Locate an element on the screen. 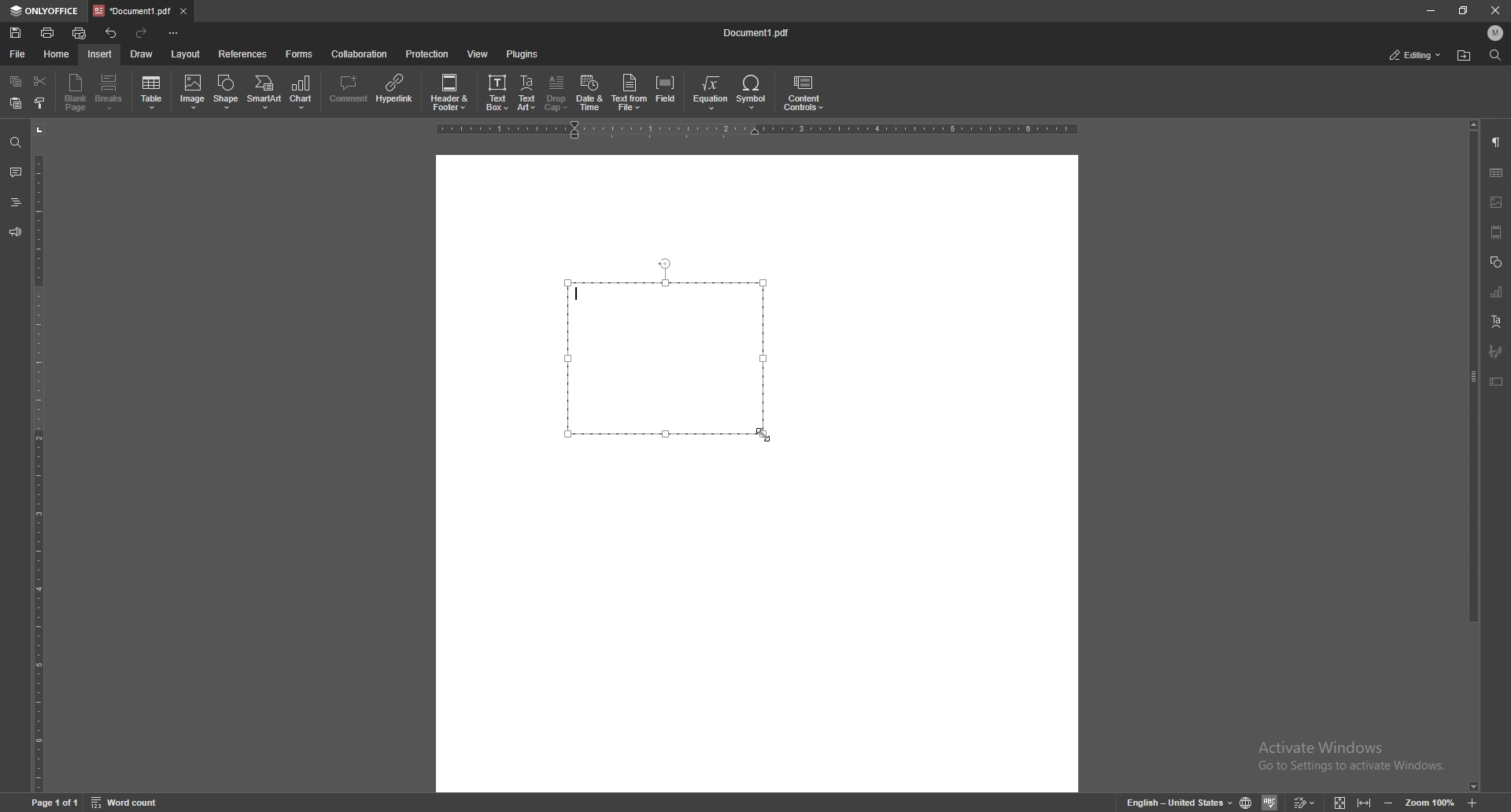 Image resolution: width=1511 pixels, height=812 pixels. image is located at coordinates (193, 91).